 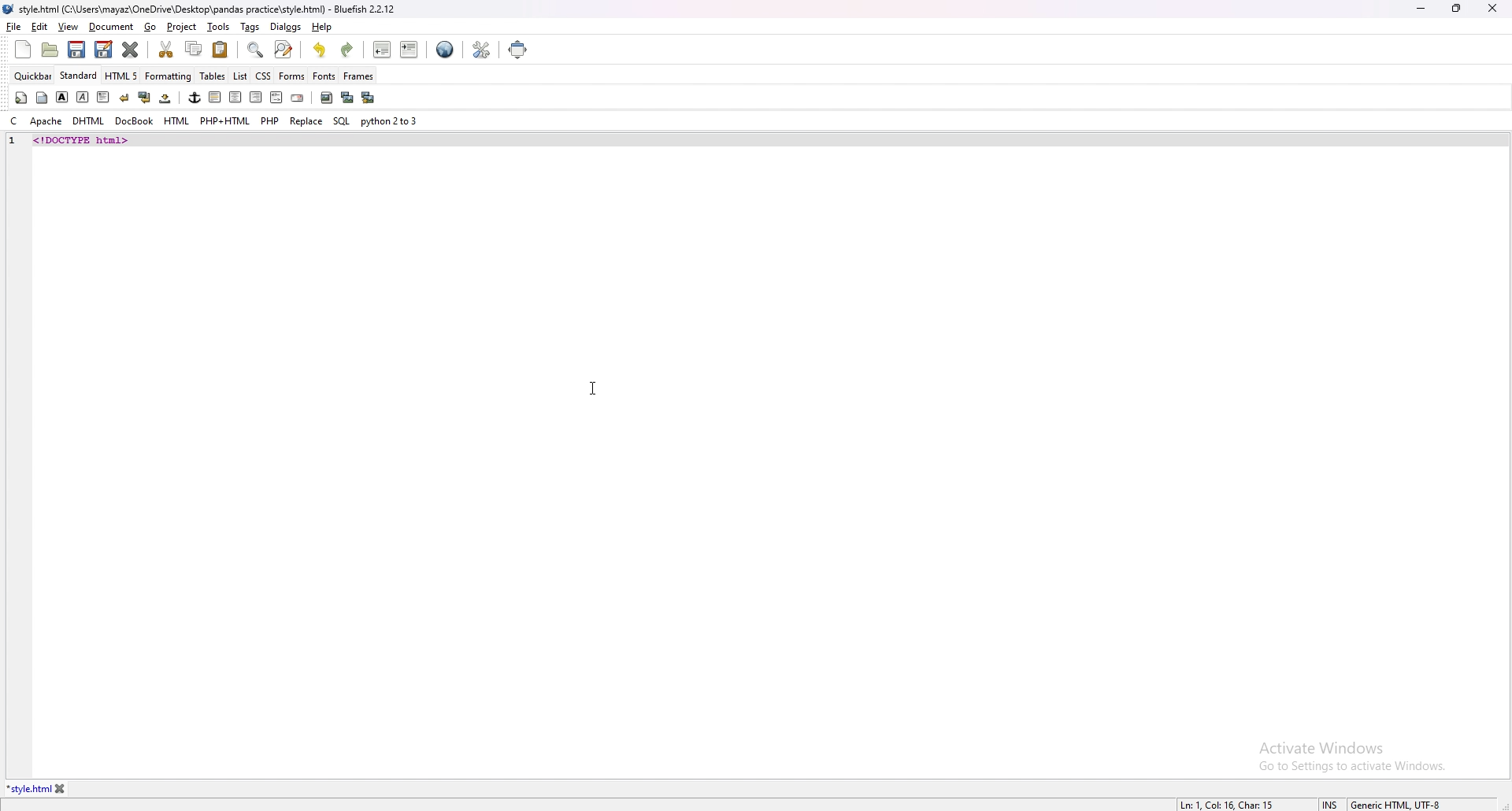 I want to click on dialogs, so click(x=286, y=27).